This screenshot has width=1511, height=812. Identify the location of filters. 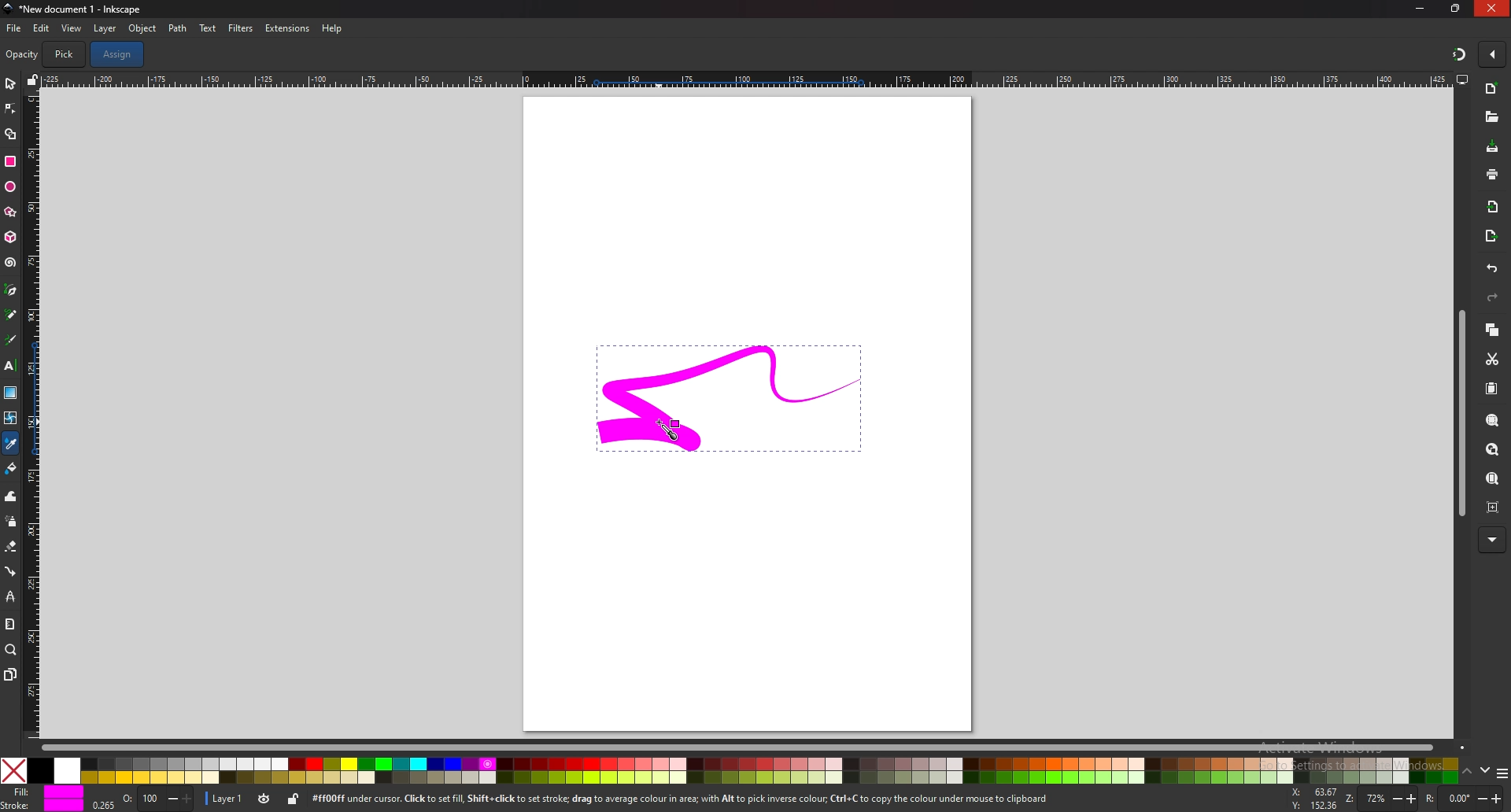
(240, 28).